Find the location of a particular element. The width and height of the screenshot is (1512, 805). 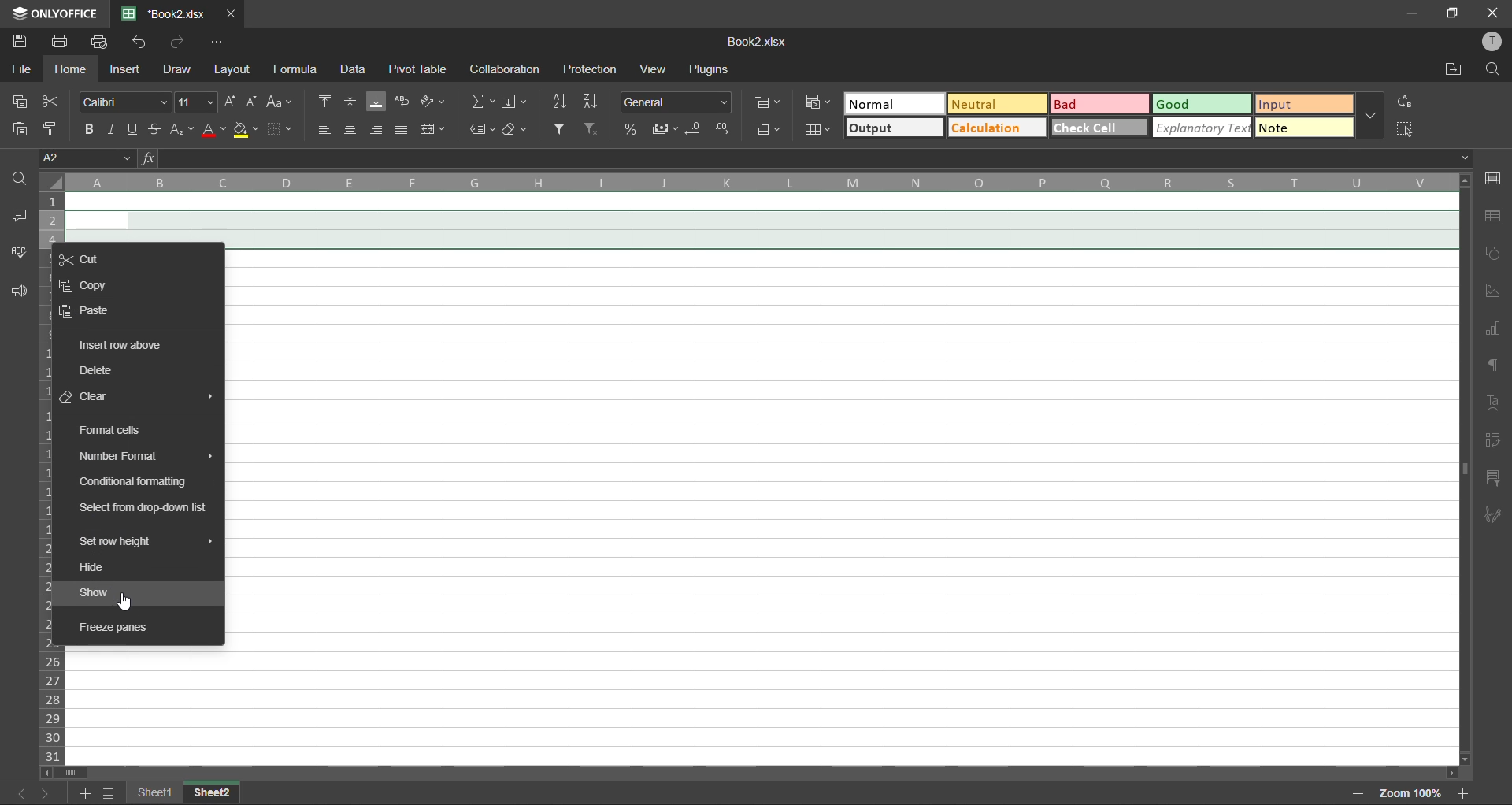

more options is located at coordinates (1368, 116).